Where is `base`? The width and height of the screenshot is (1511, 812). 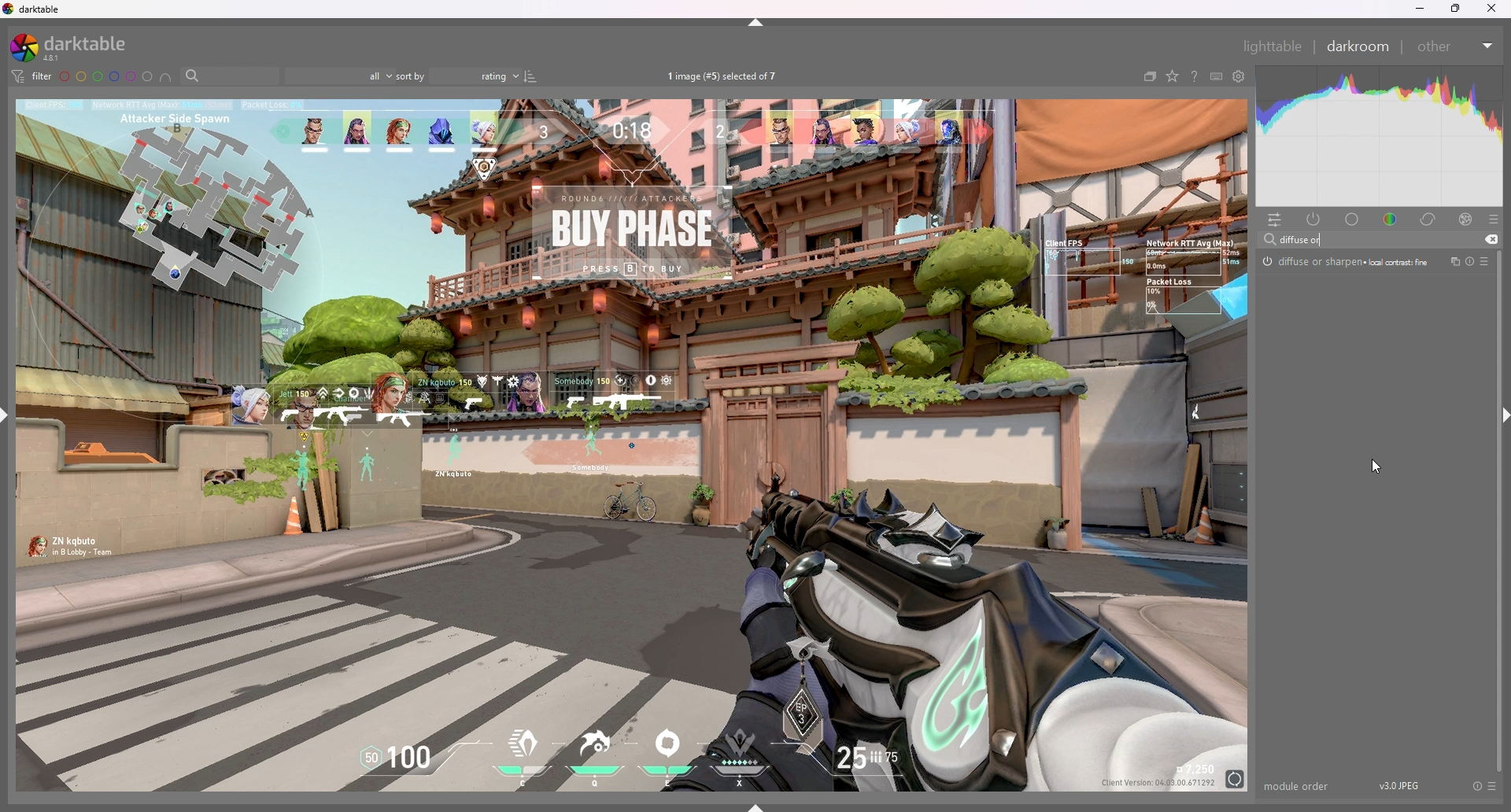
base is located at coordinates (1354, 219).